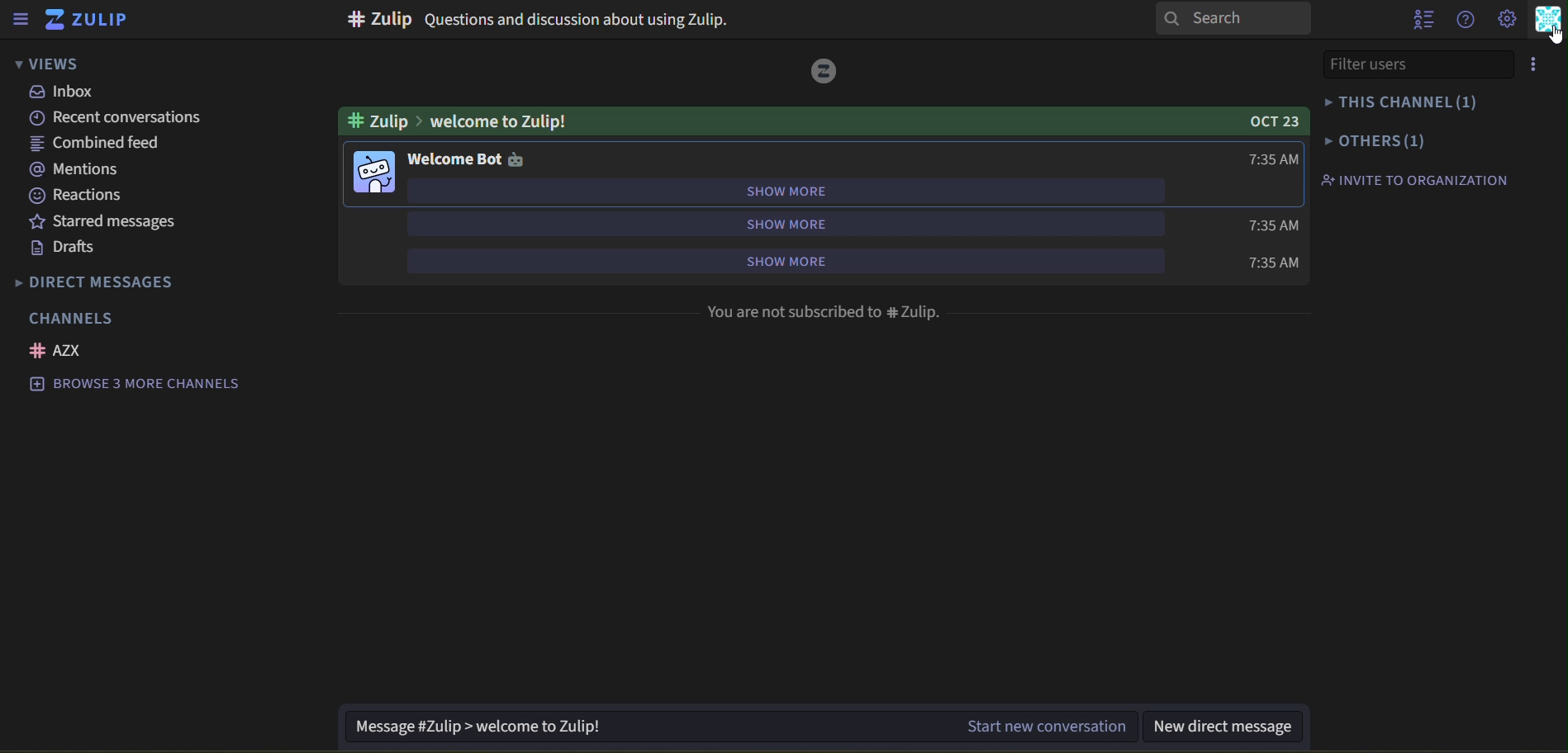 The width and height of the screenshot is (1568, 753). Describe the element at coordinates (64, 248) in the screenshot. I see `drafts` at that location.